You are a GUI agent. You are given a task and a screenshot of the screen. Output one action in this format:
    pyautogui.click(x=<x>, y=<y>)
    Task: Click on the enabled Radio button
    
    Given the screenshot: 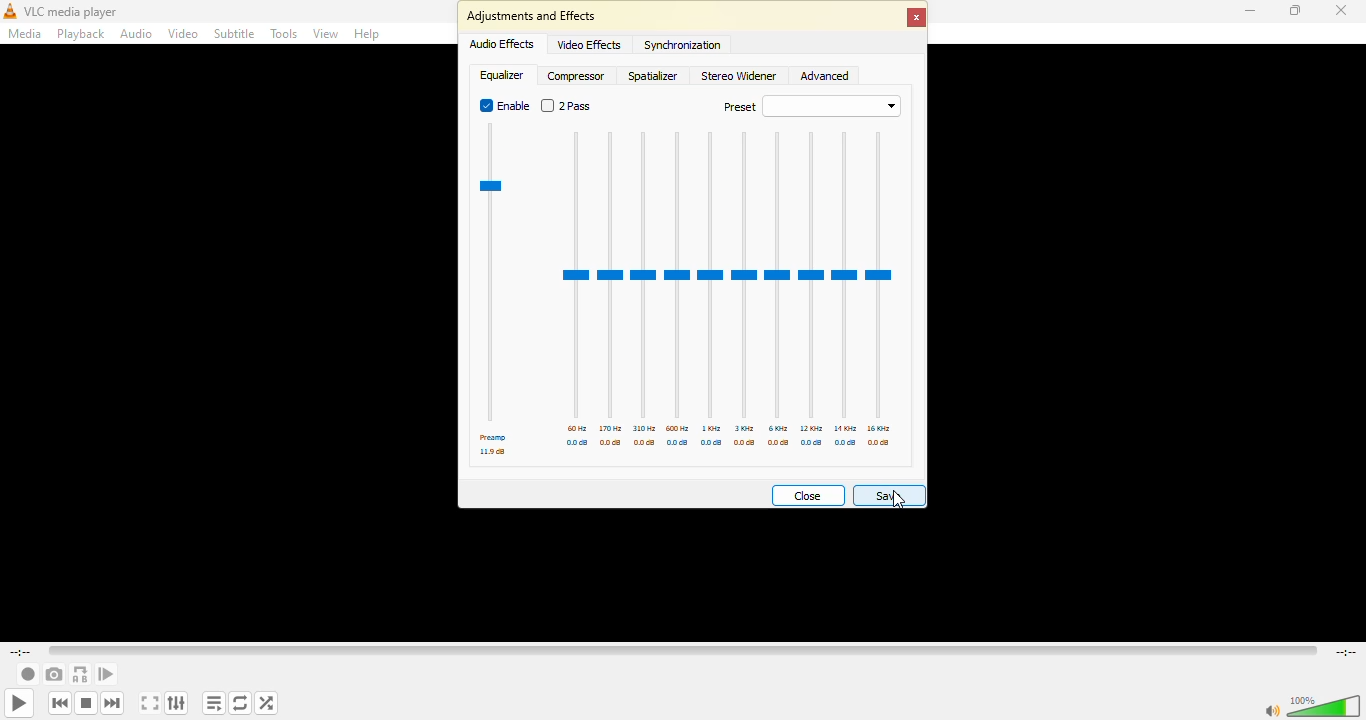 What is the action you would take?
    pyautogui.click(x=483, y=105)
    